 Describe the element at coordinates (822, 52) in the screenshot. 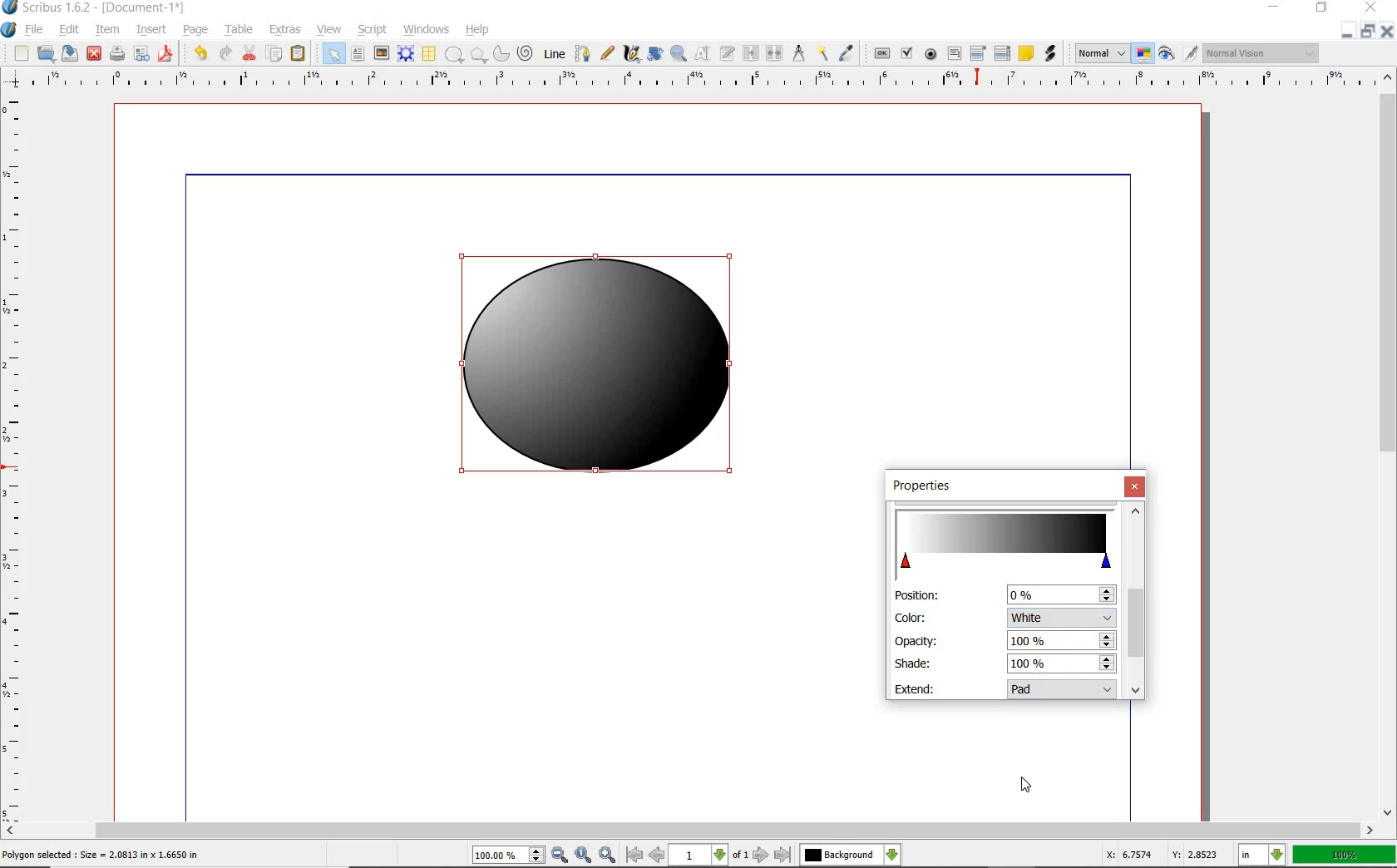

I see `COPY ITEM PROPERTIES` at that location.